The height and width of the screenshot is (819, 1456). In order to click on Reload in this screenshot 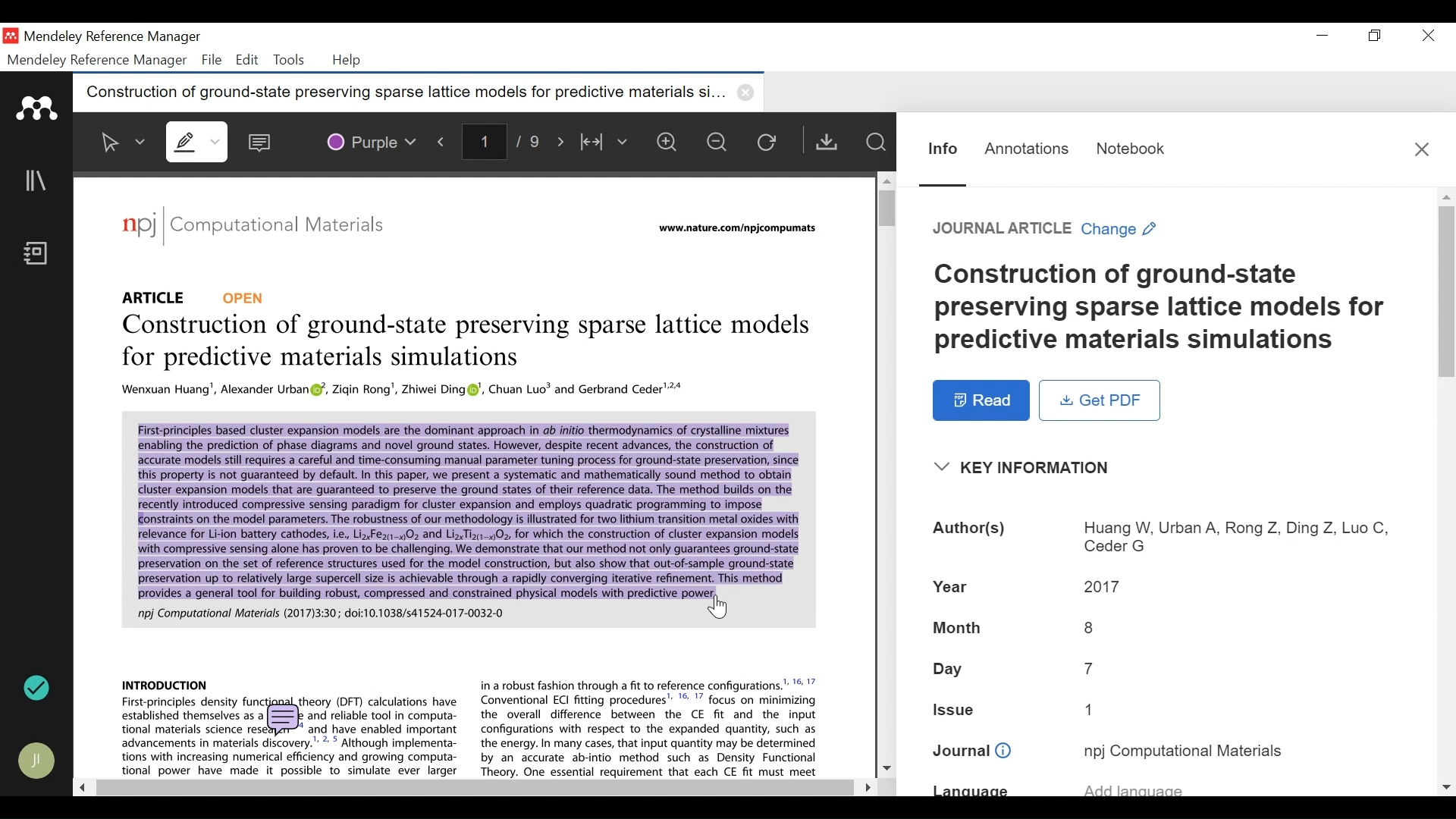, I will do `click(770, 141)`.